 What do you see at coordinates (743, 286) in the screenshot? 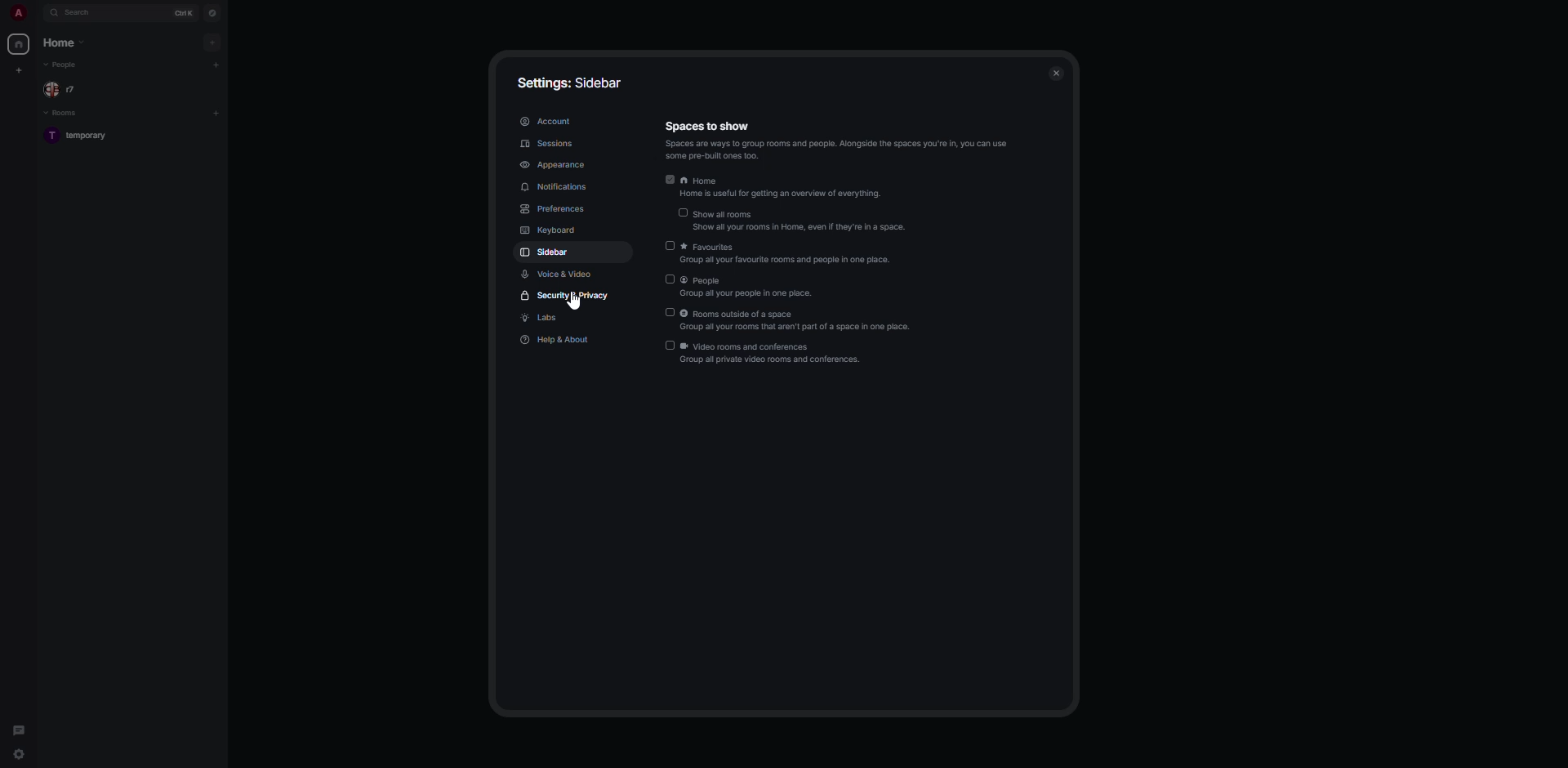
I see `people` at bounding box center [743, 286].